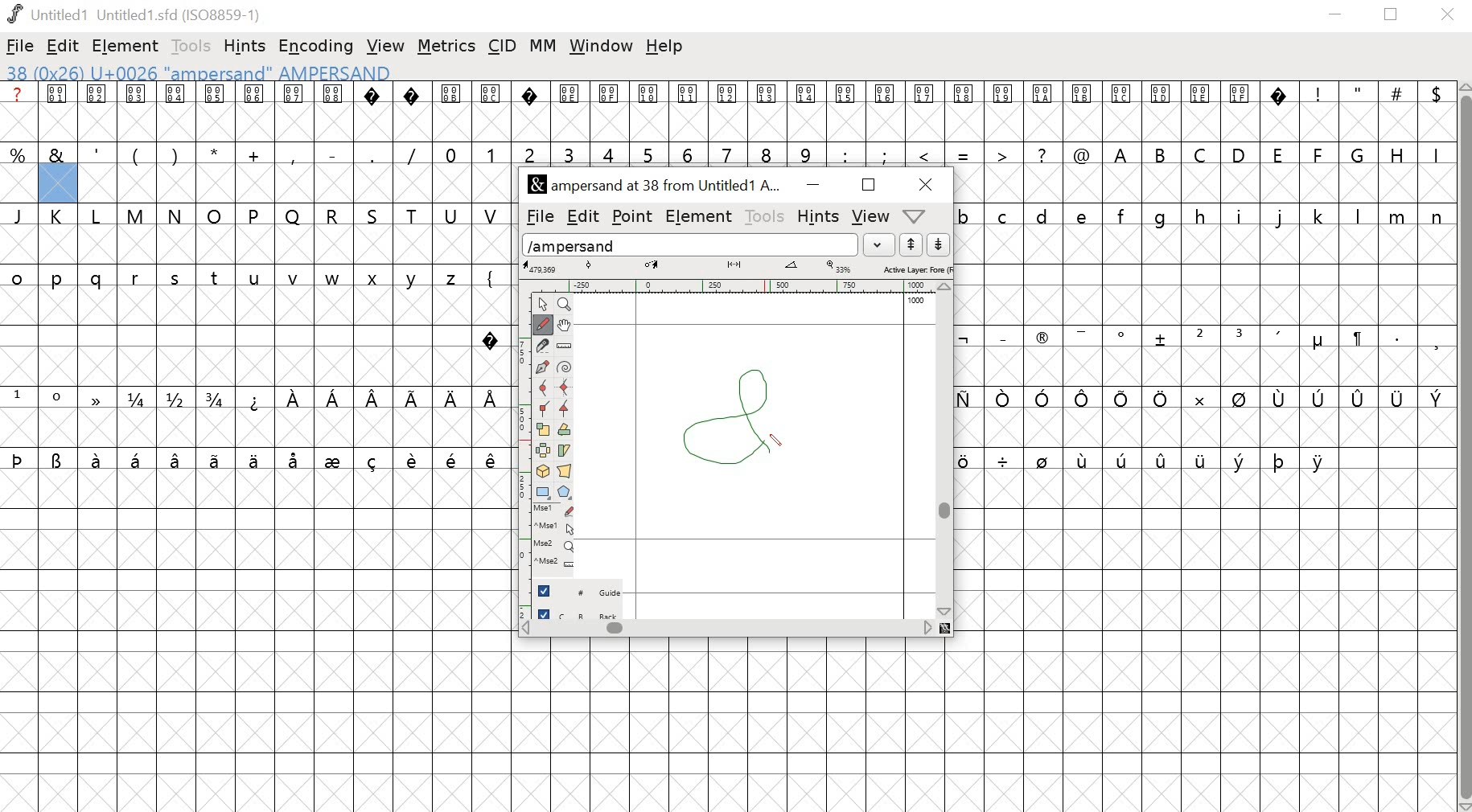 This screenshot has width=1472, height=812. What do you see at coordinates (256, 399) in the screenshot?
I see `symbol` at bounding box center [256, 399].